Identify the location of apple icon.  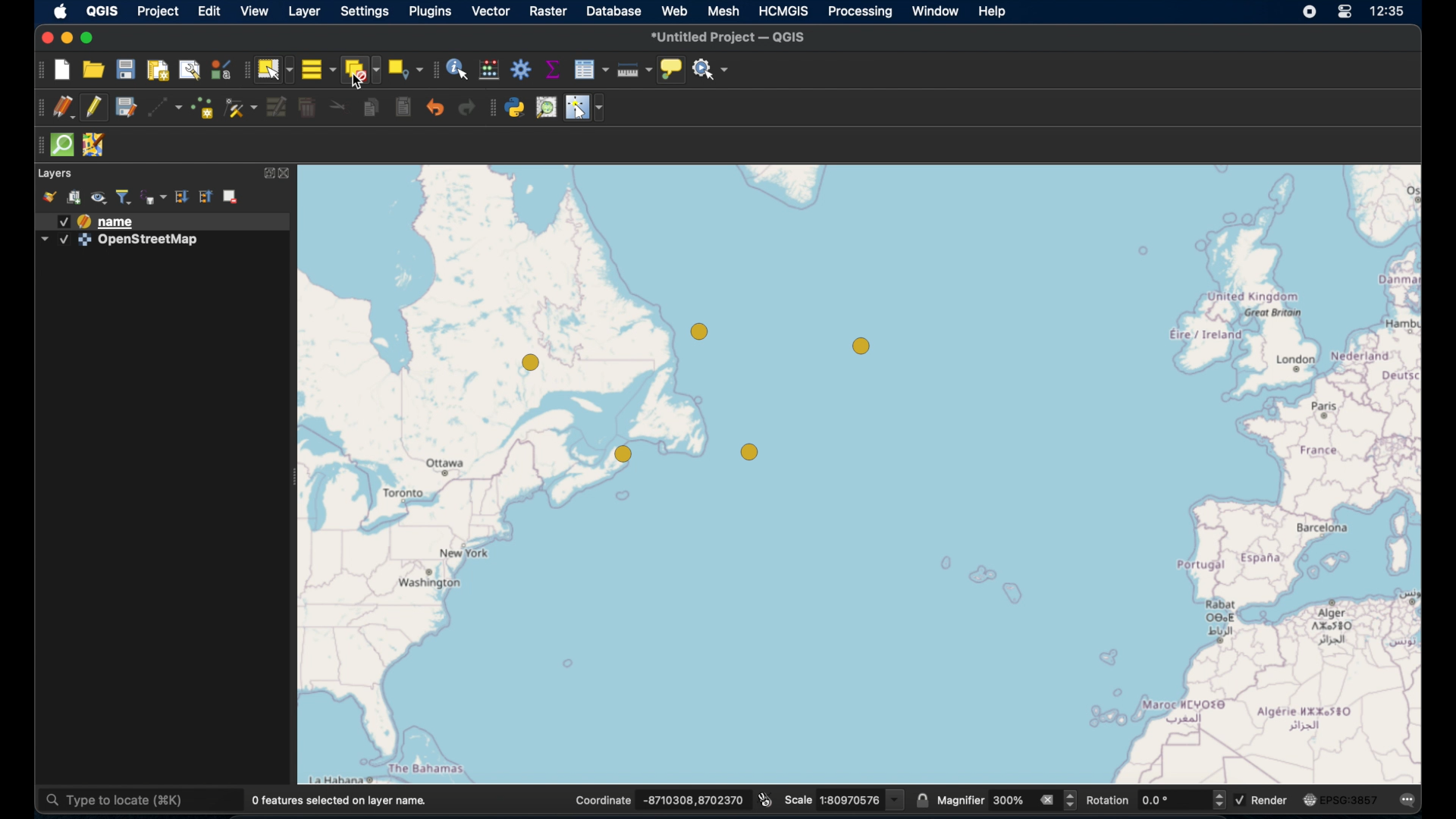
(60, 11).